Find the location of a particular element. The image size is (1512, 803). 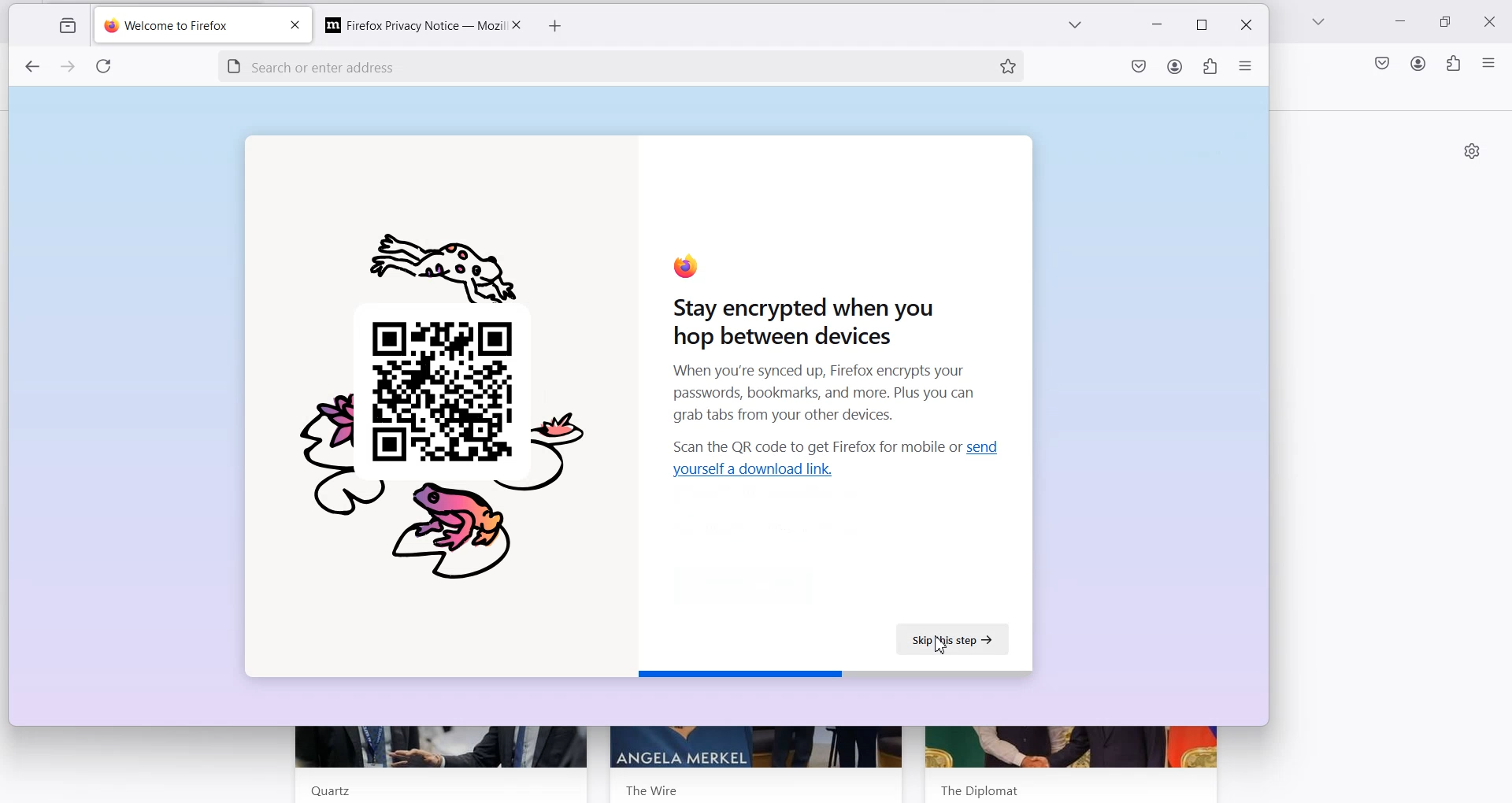

add new tab is located at coordinates (556, 27).